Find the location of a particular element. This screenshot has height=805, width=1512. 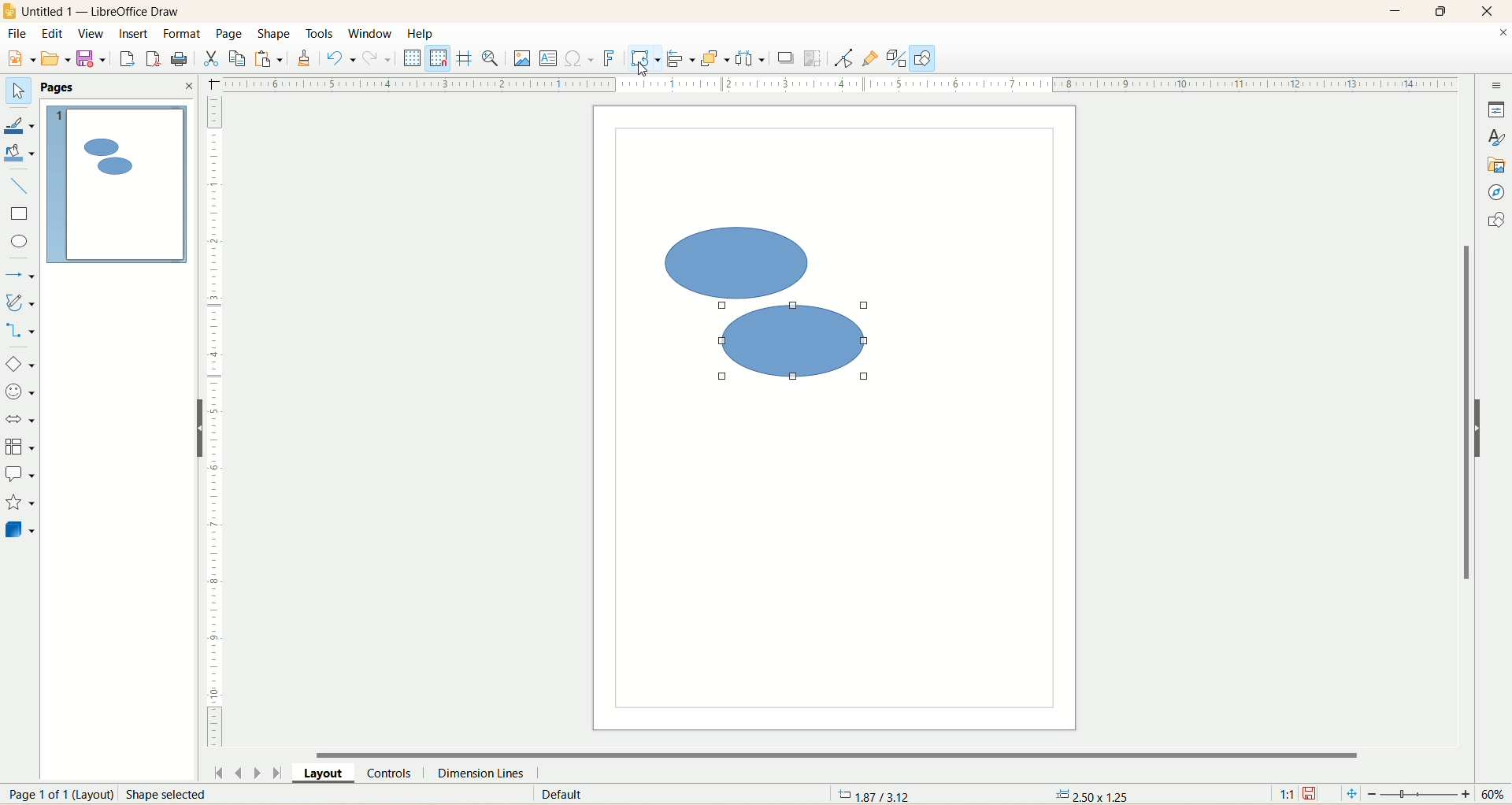

style is located at coordinates (1496, 135).